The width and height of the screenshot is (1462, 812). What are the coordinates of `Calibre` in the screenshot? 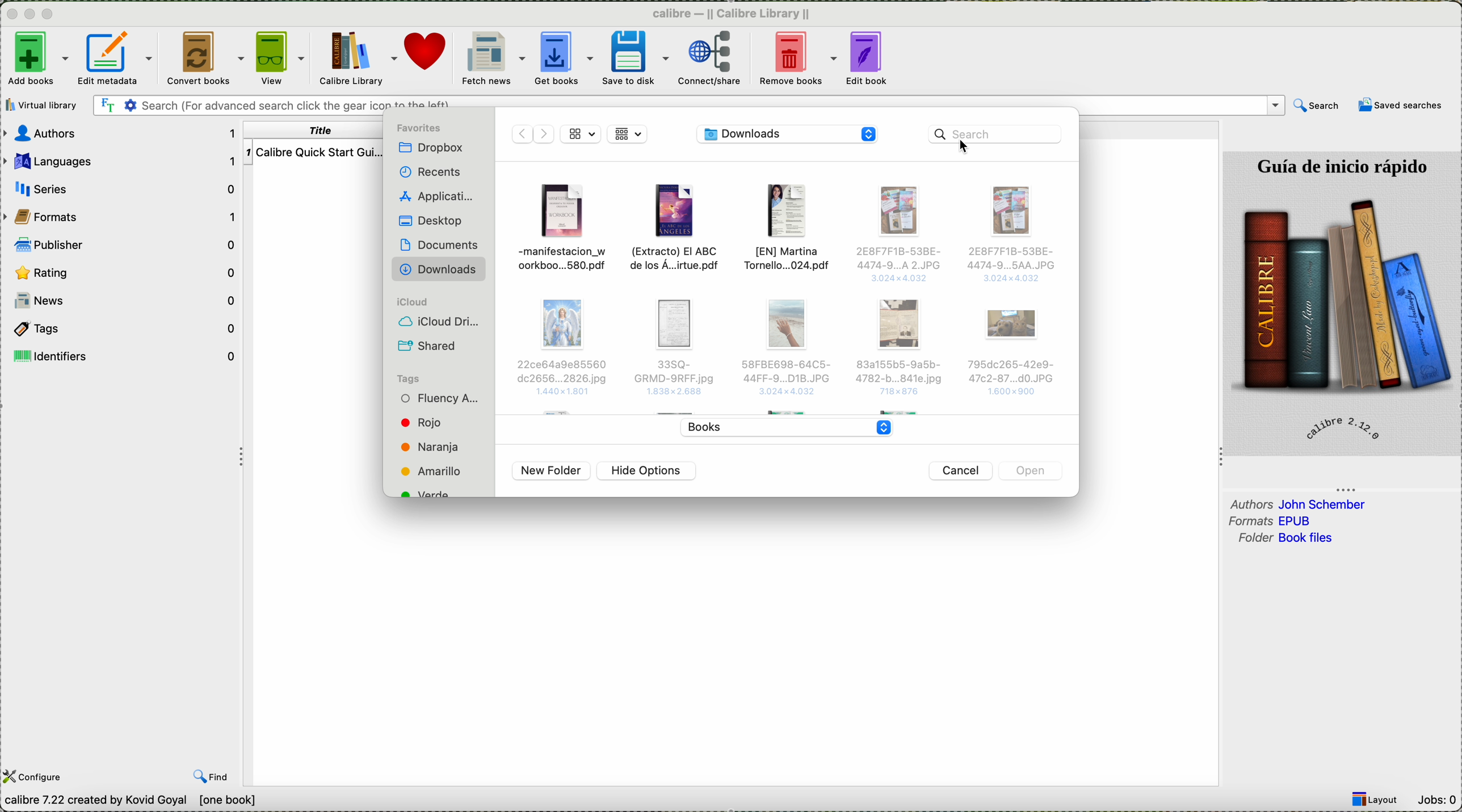 It's located at (731, 15).